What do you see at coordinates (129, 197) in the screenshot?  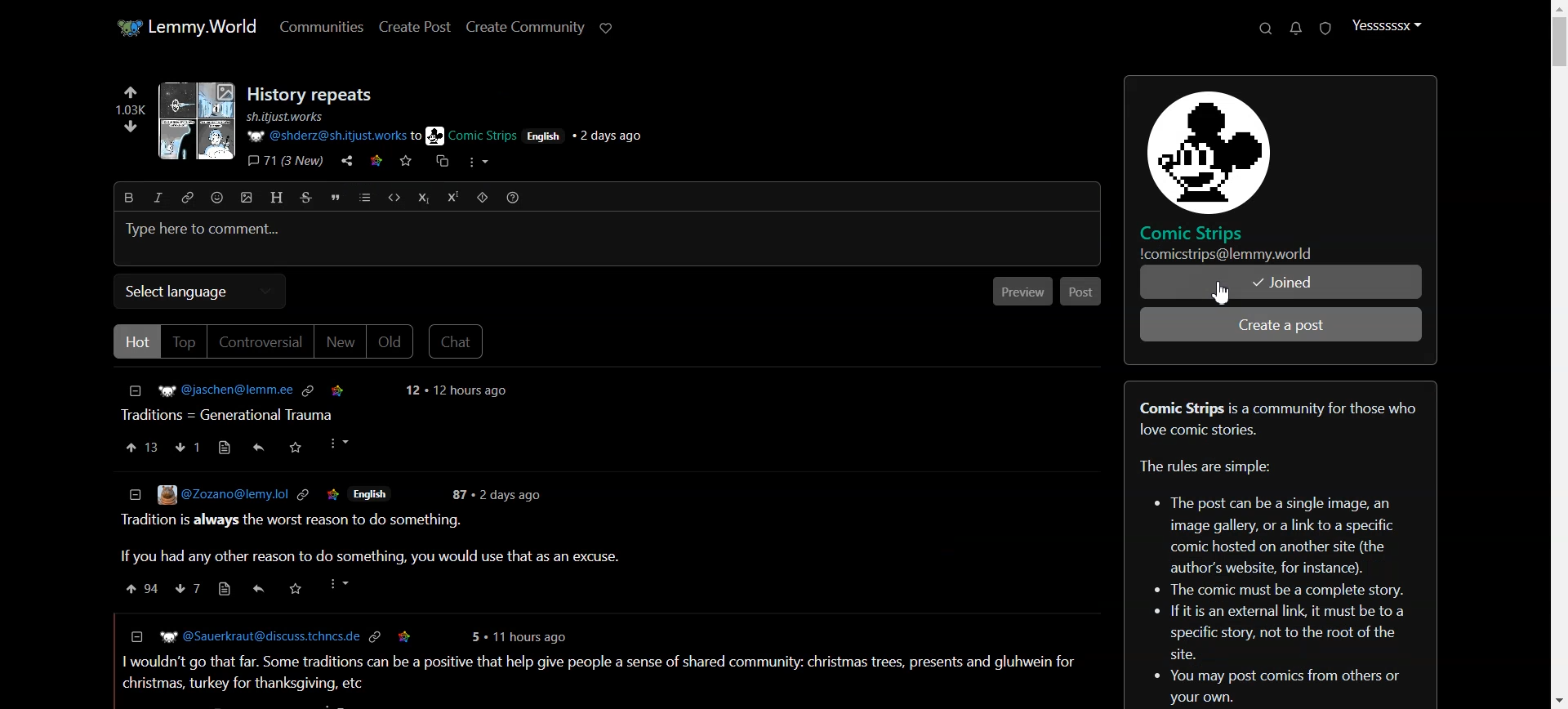 I see `Bold` at bounding box center [129, 197].